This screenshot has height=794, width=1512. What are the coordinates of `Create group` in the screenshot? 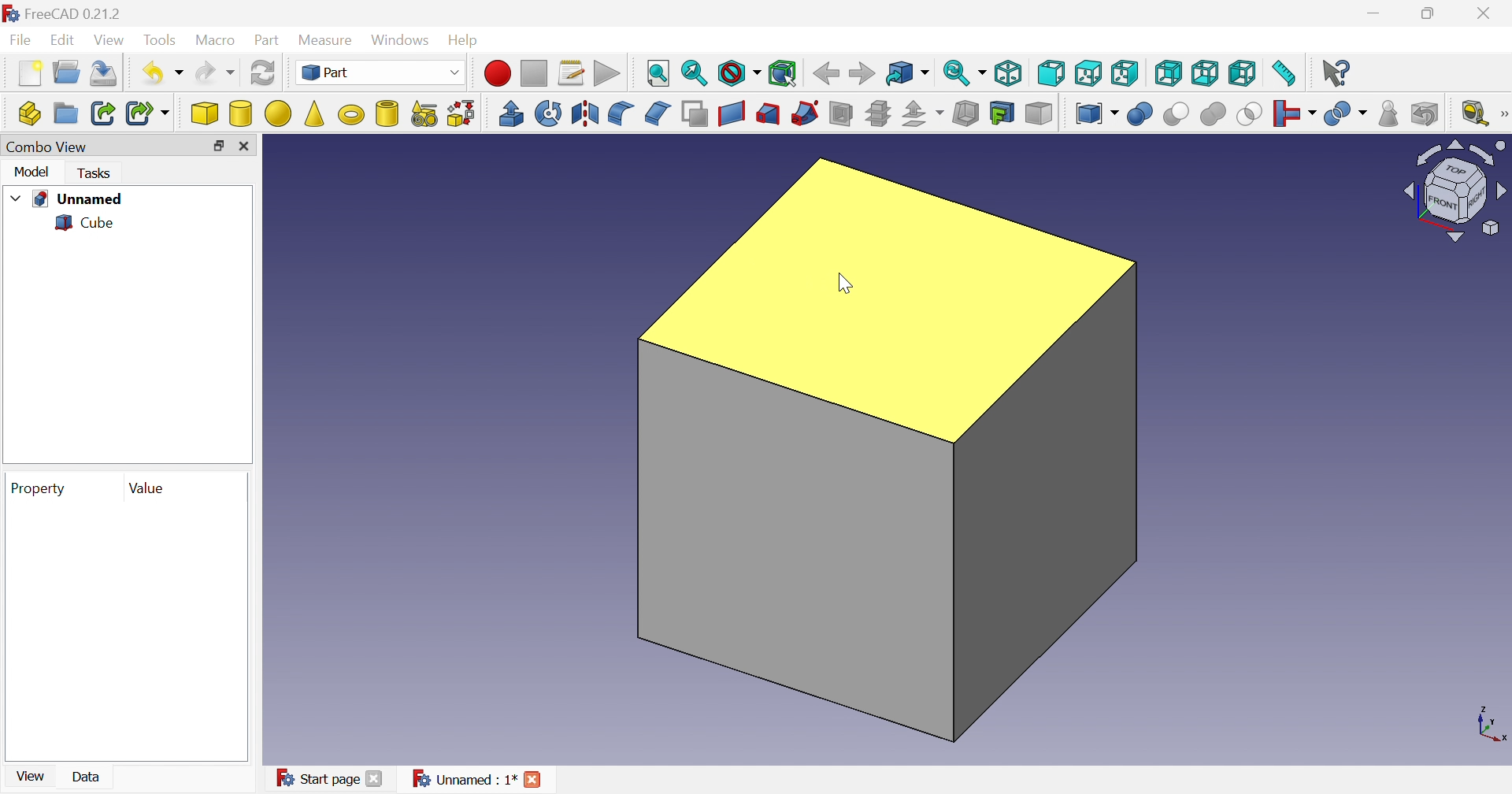 It's located at (65, 113).